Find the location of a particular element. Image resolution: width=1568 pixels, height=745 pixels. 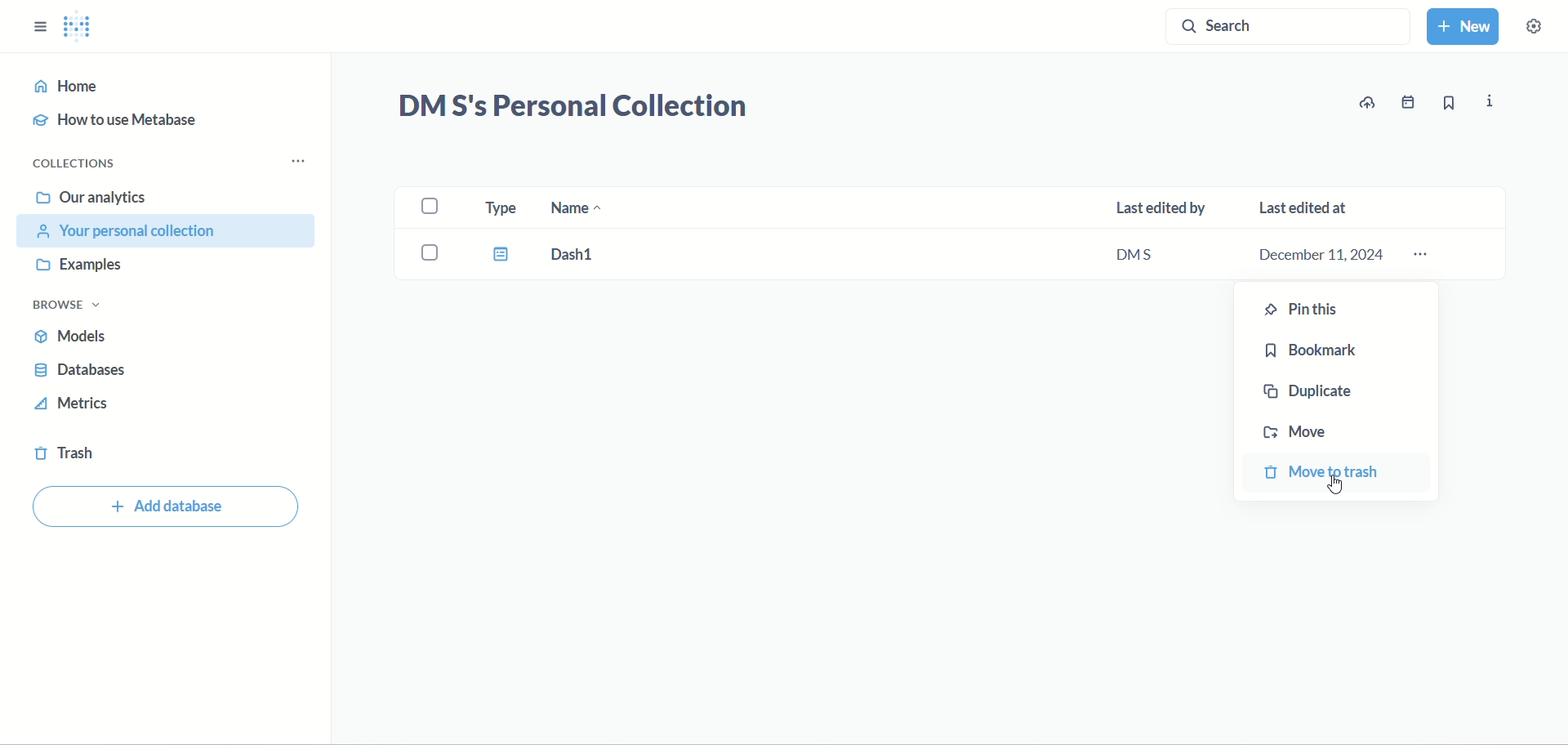

duplicate is located at coordinates (1316, 395).